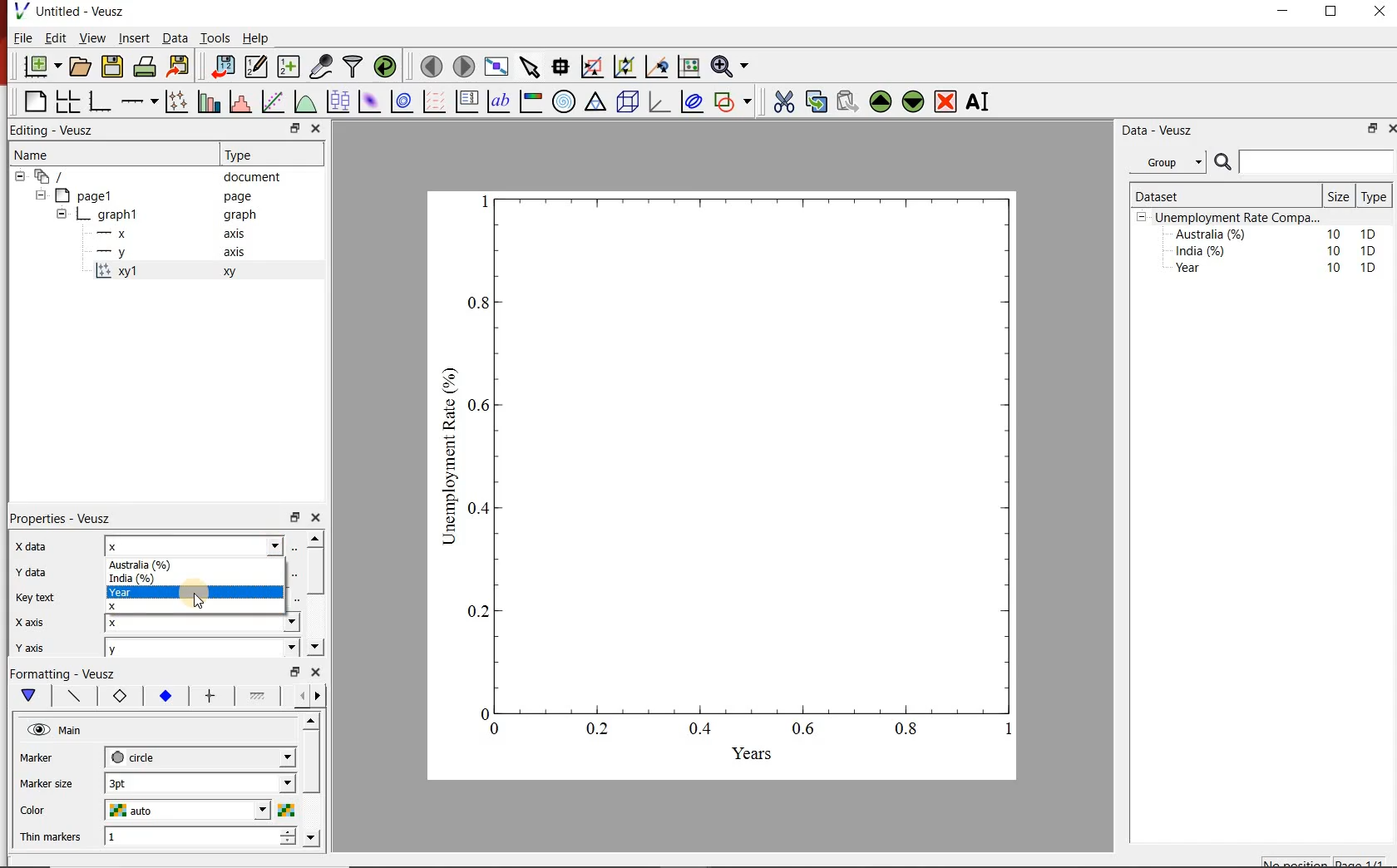 The image size is (1397, 868). I want to click on blank page, so click(34, 100).